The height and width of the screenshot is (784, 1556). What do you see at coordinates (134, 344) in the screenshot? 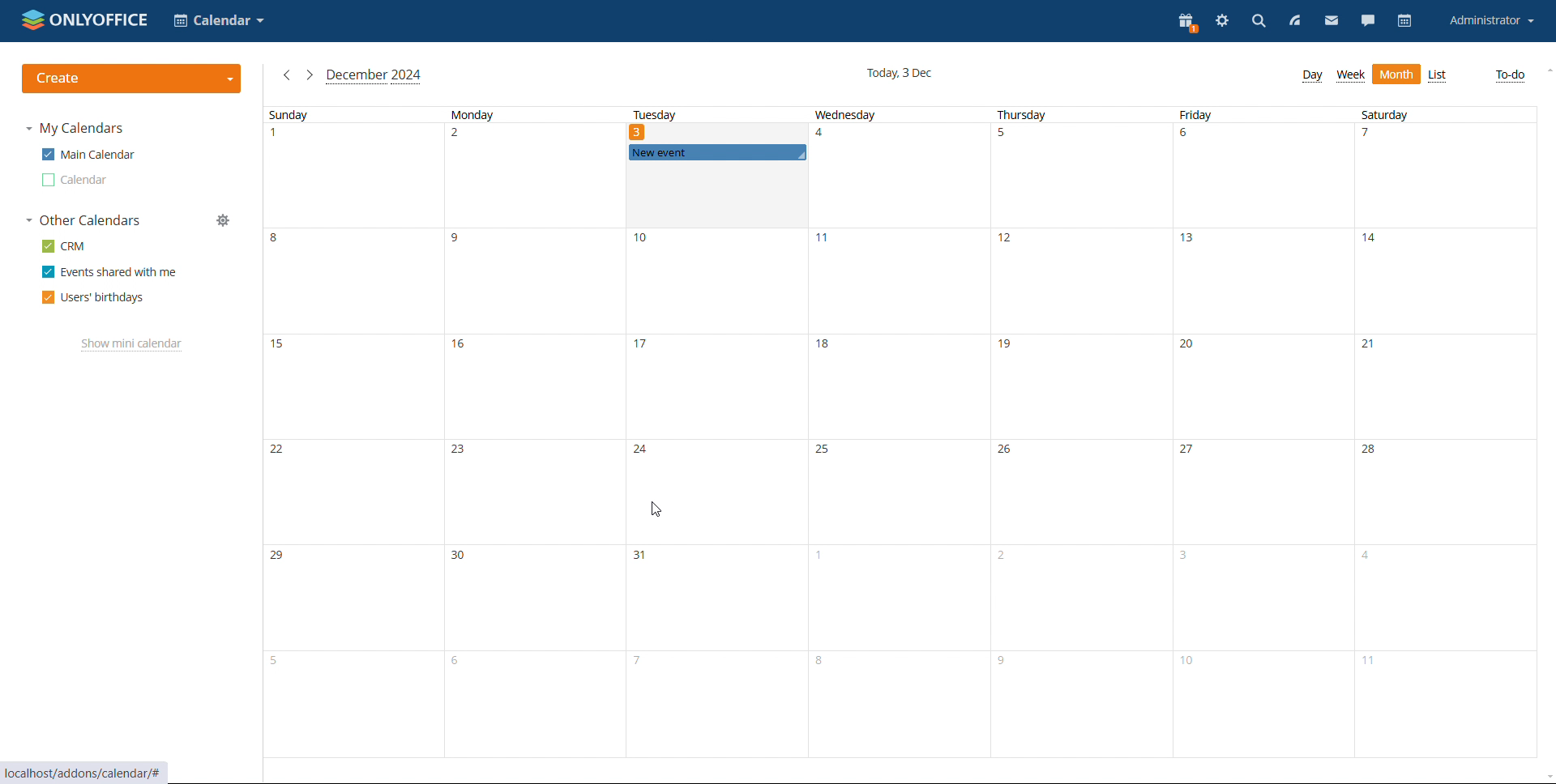
I see `show mini calendar` at bounding box center [134, 344].